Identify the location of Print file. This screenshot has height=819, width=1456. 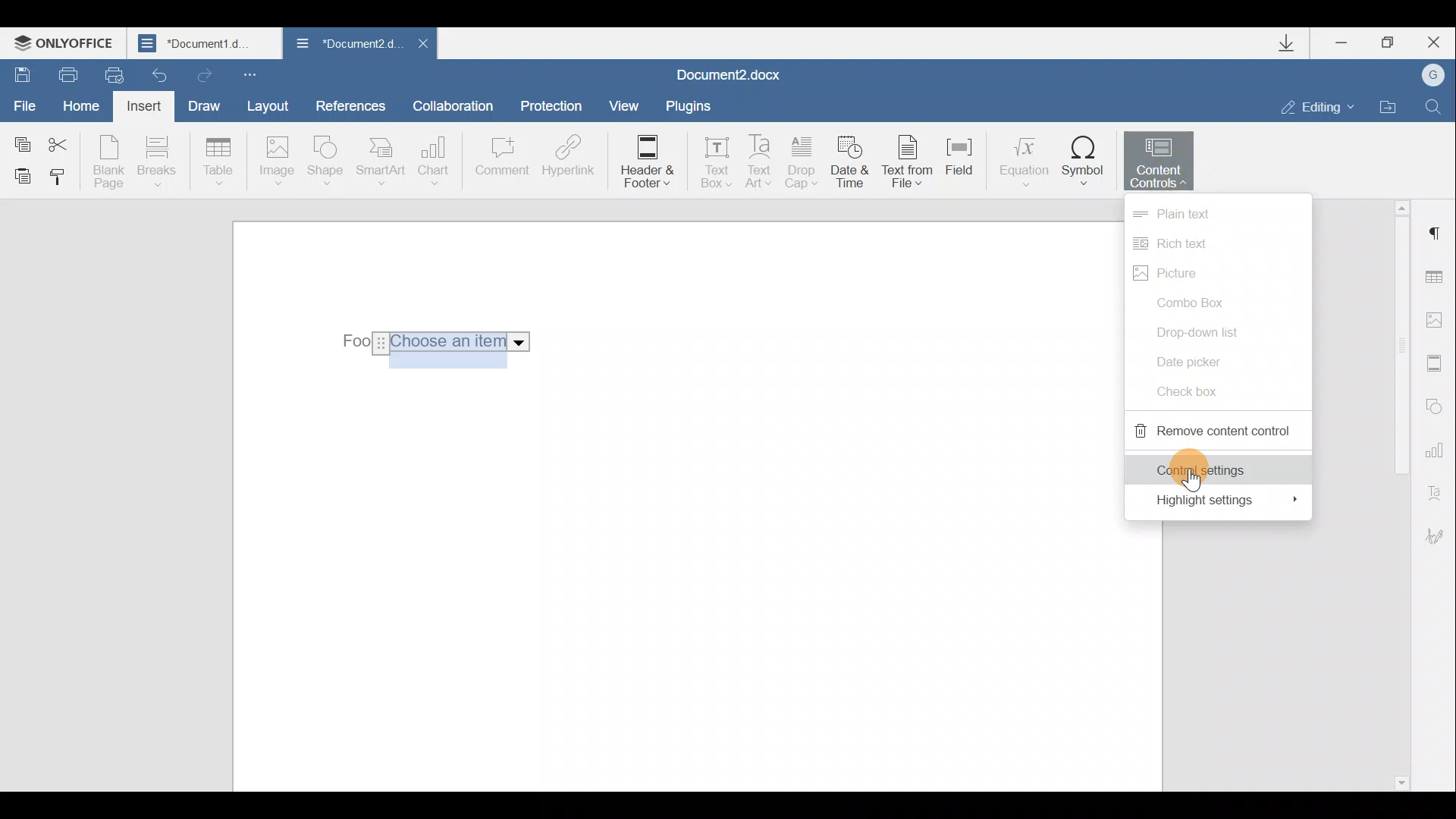
(60, 74).